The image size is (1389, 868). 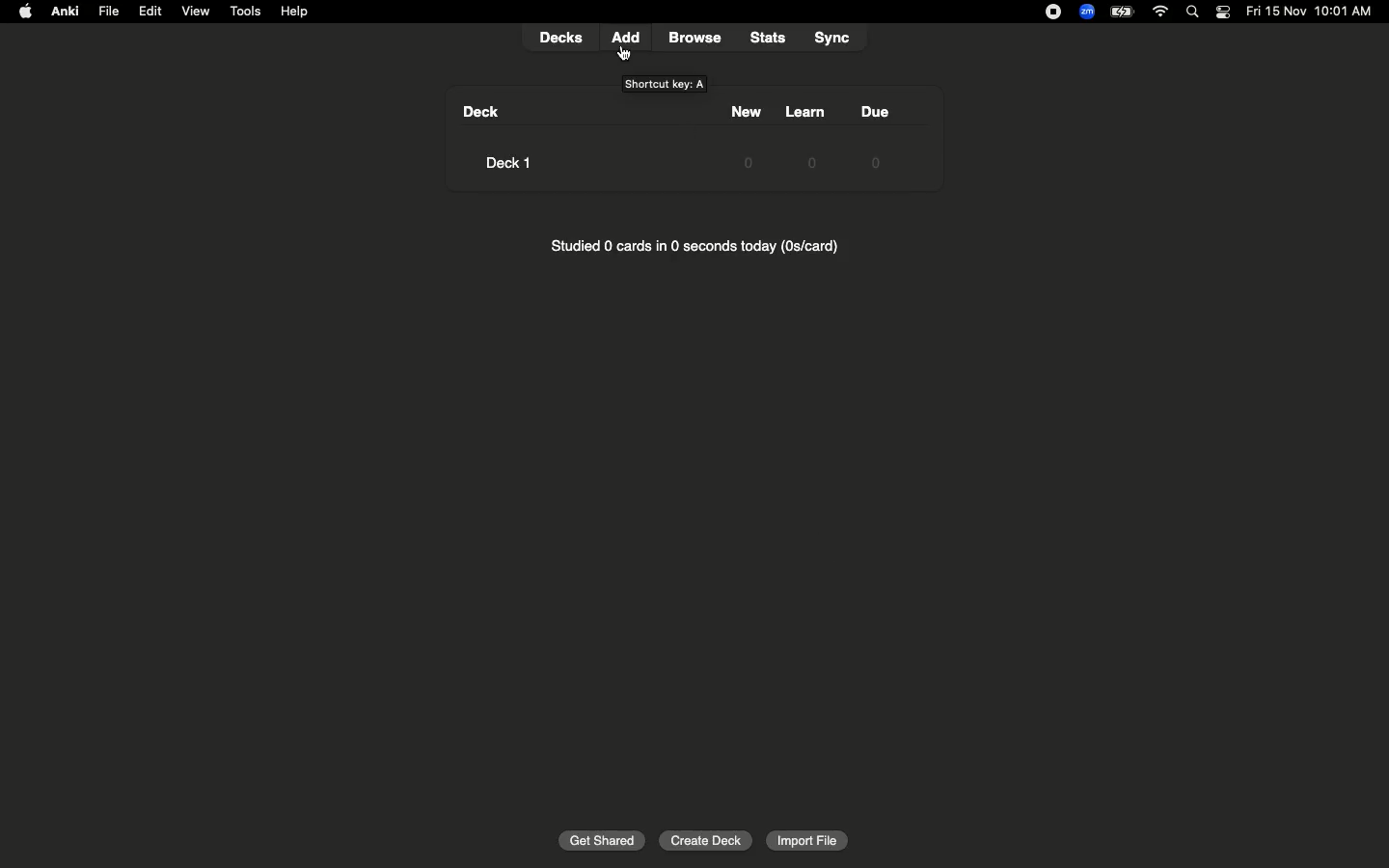 I want to click on Add, so click(x=629, y=39).